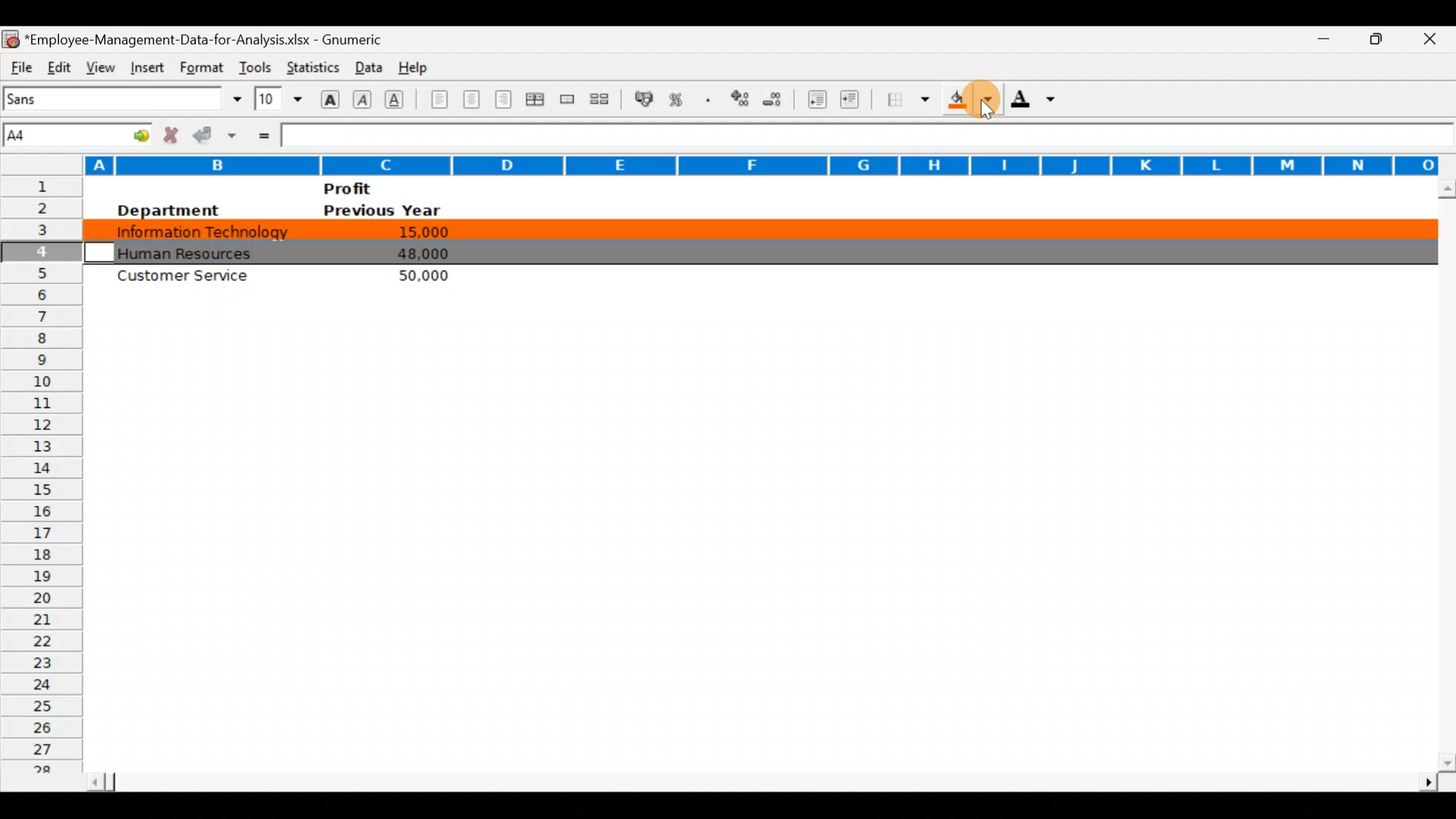  I want to click on Format, so click(199, 67).